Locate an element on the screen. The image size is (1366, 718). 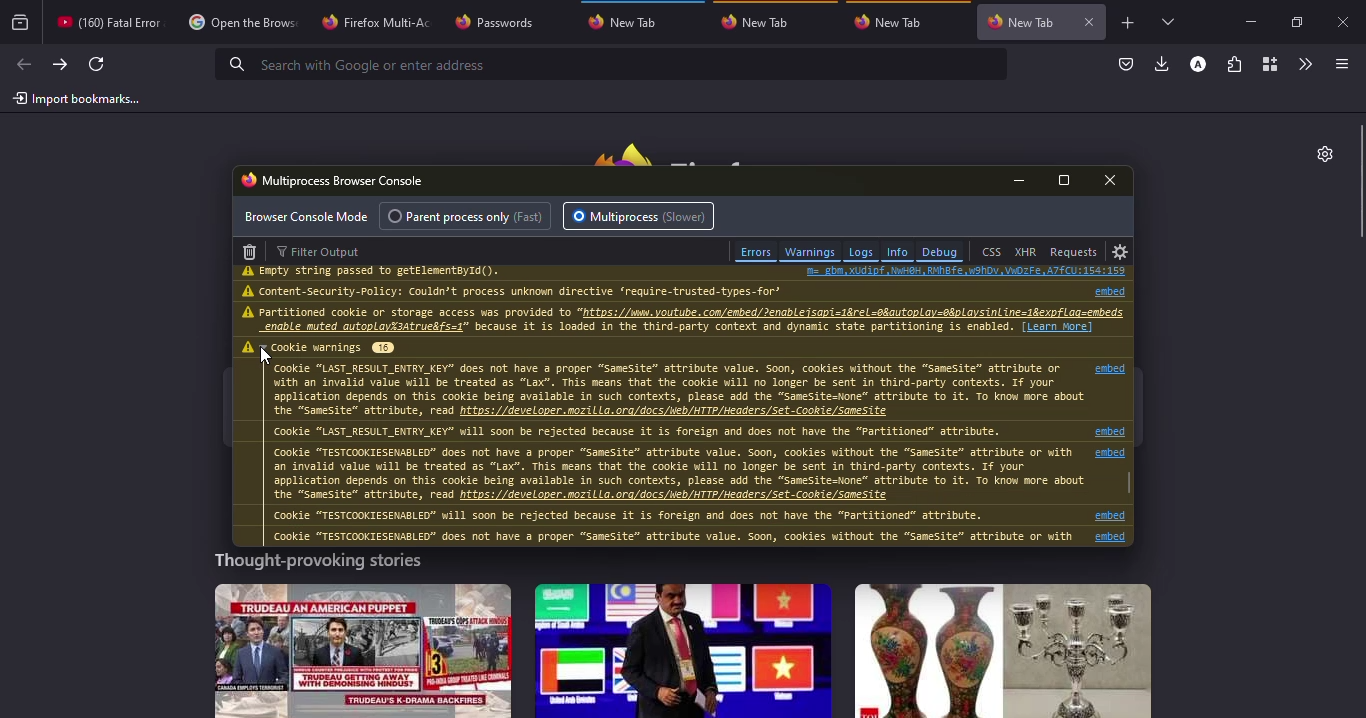
tab is located at coordinates (240, 24).